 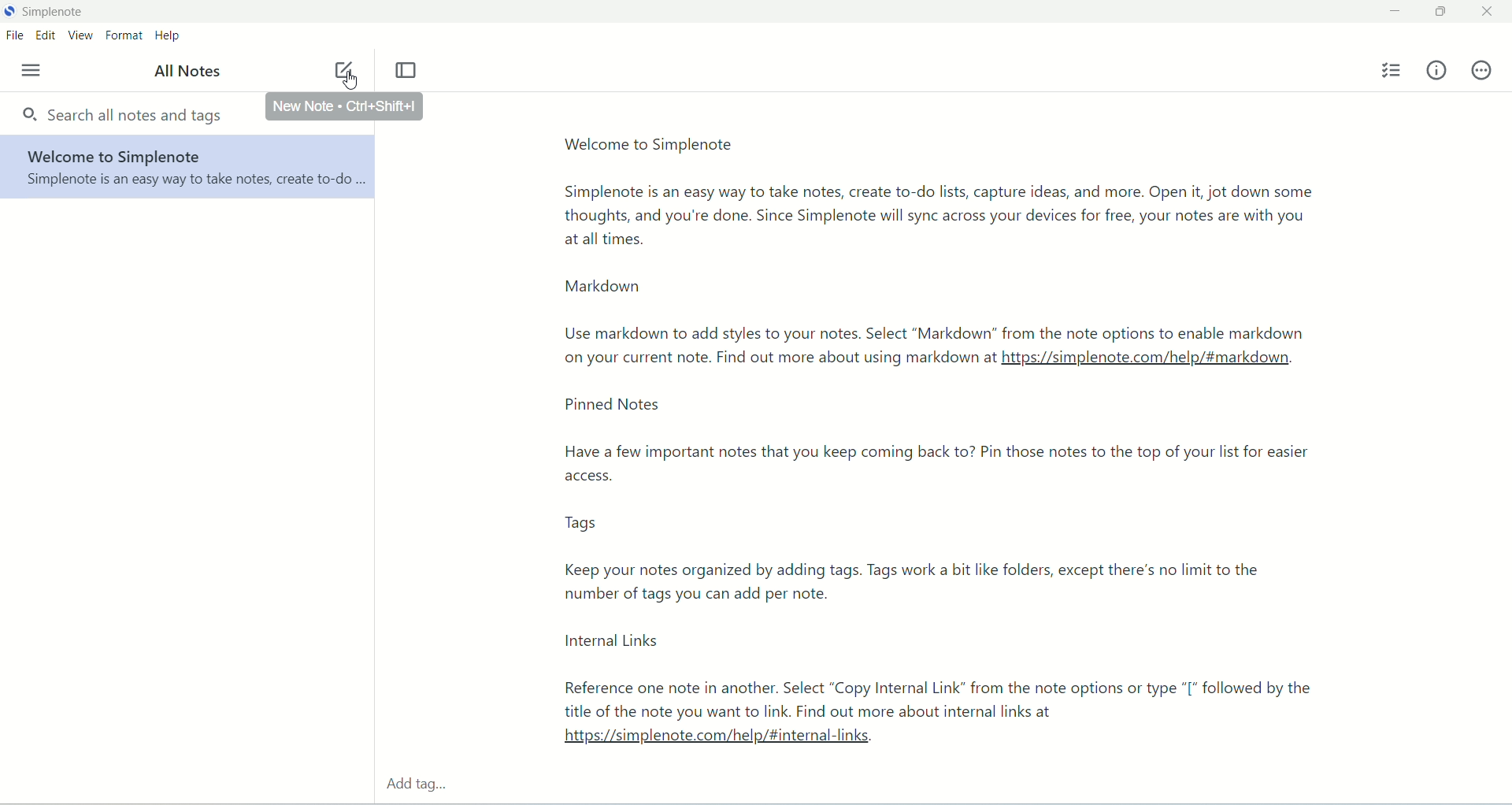 I want to click on search all notes and tags, so click(x=127, y=116).